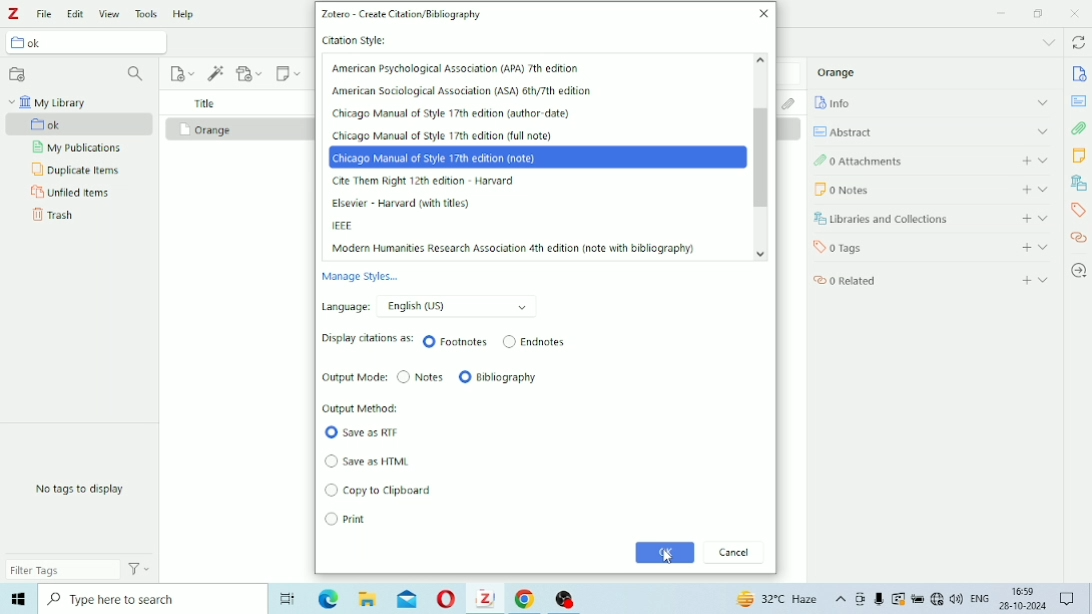  I want to click on Google Chrome, so click(528, 599).